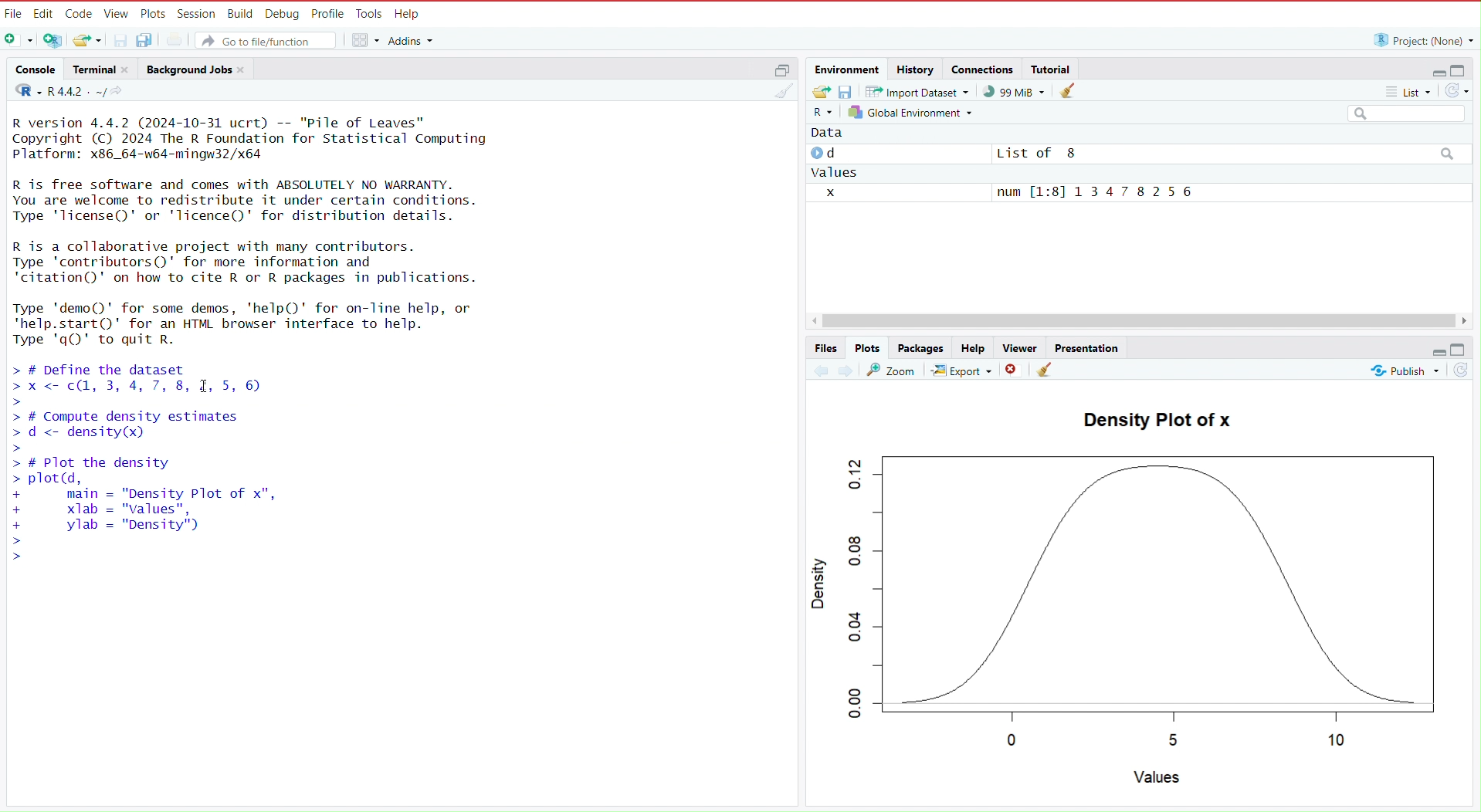 This screenshot has height=812, width=1481. I want to click on help, so click(971, 347).